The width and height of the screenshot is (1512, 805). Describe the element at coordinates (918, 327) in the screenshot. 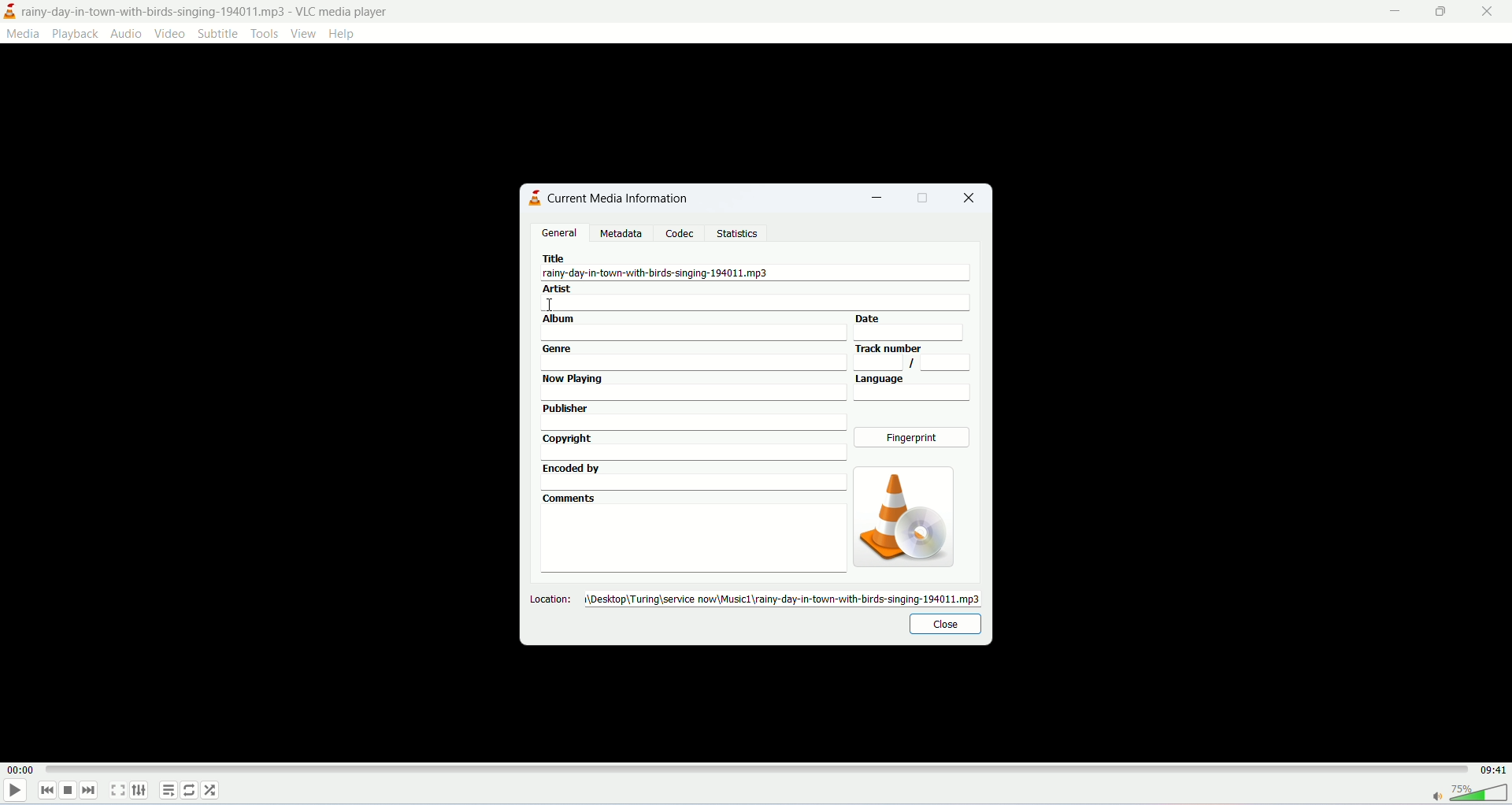

I see `date` at that location.